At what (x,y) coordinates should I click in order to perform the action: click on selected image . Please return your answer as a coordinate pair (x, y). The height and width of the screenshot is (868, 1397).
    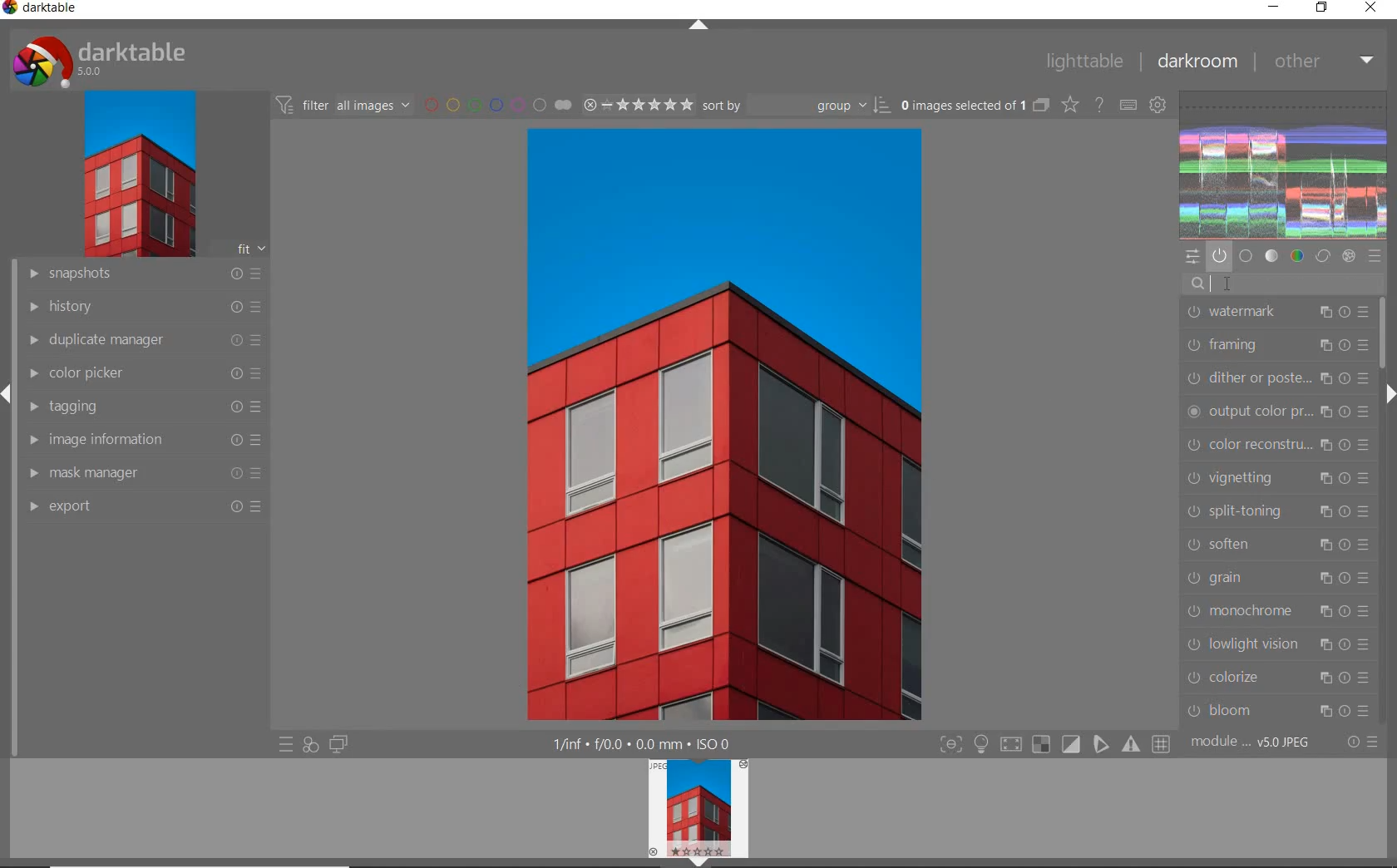
    Looking at the image, I should click on (723, 424).